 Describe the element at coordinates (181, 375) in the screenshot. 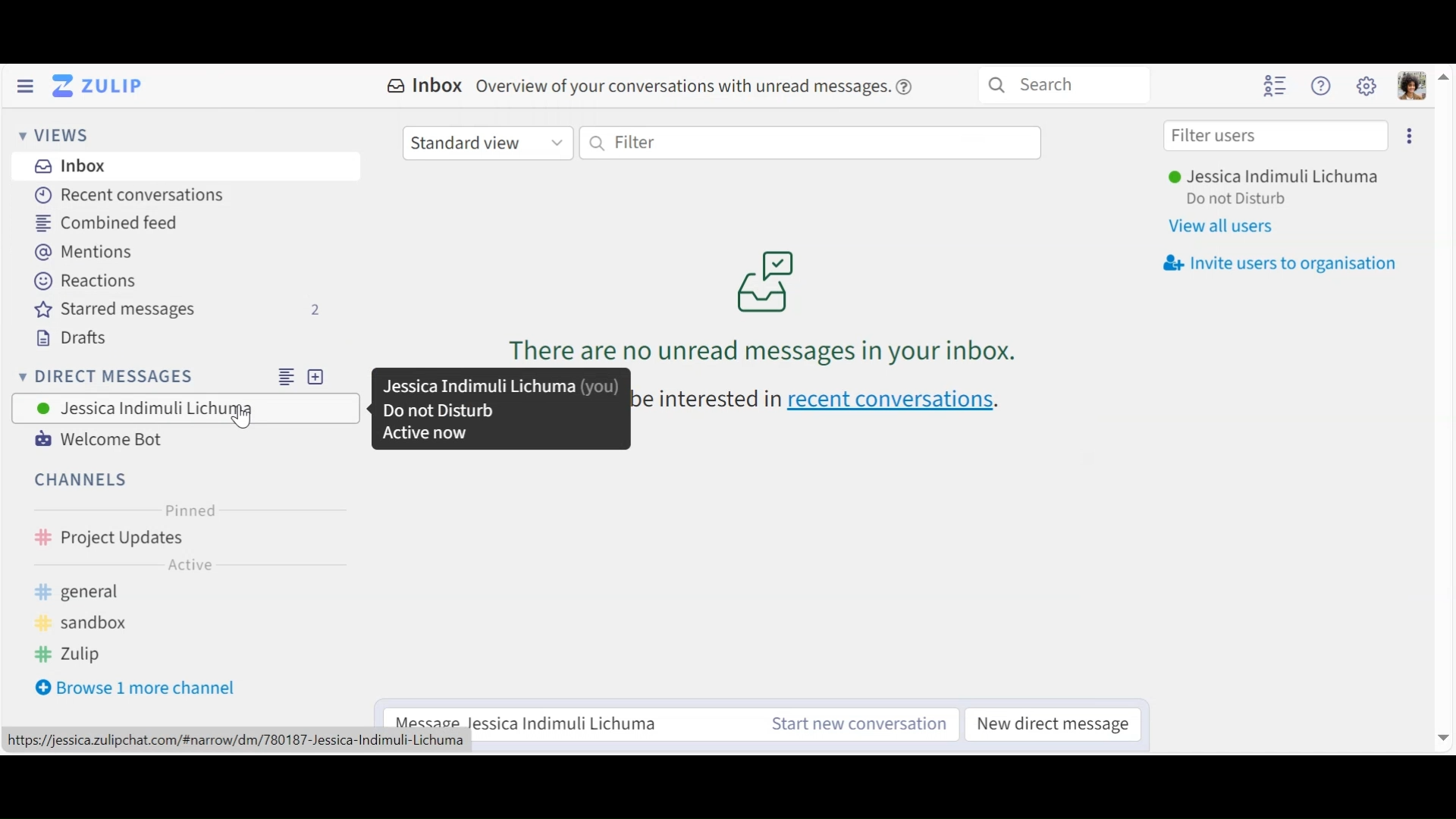

I see `Direct Messages` at that location.